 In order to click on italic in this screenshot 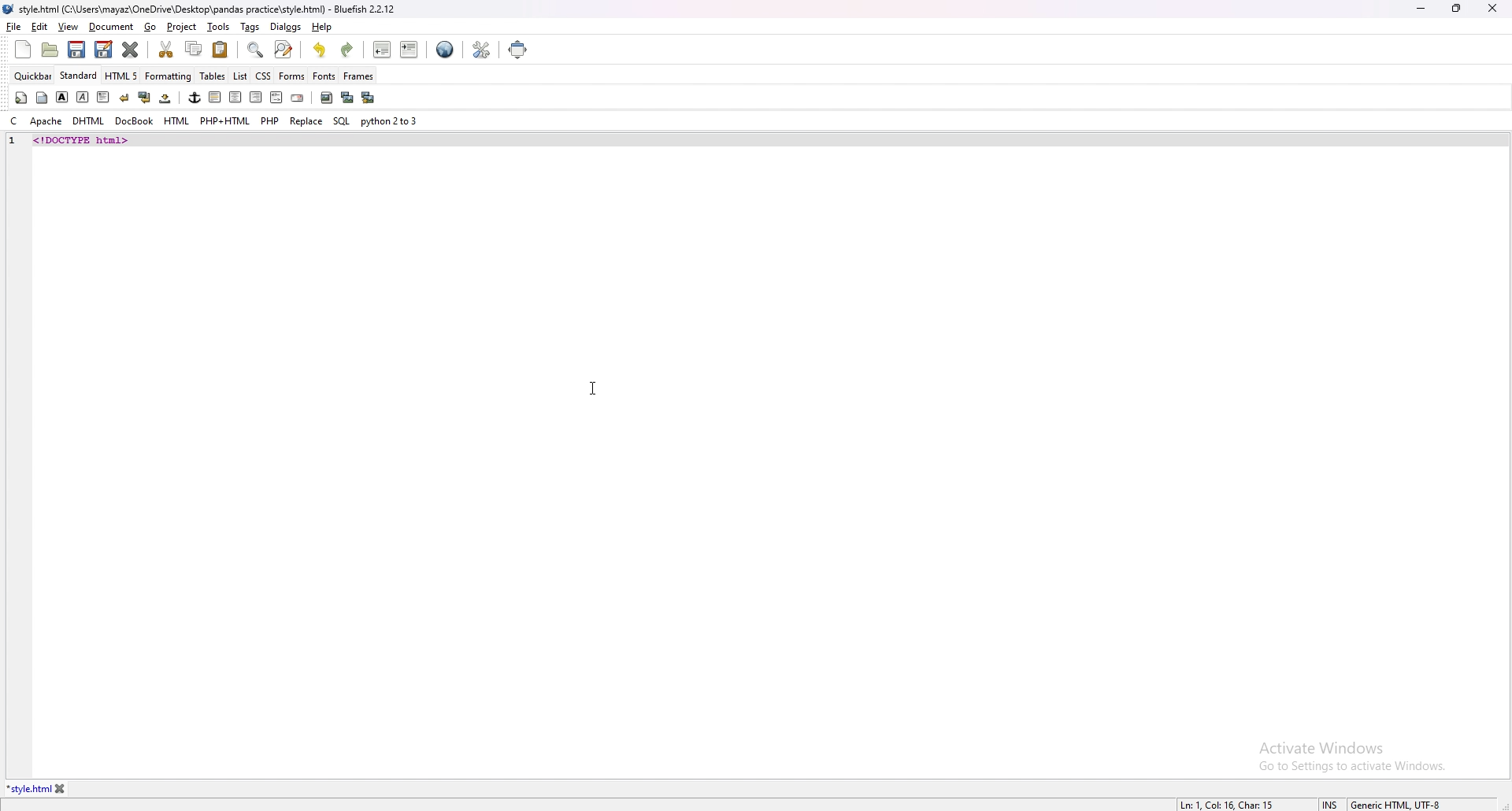, I will do `click(83, 96)`.